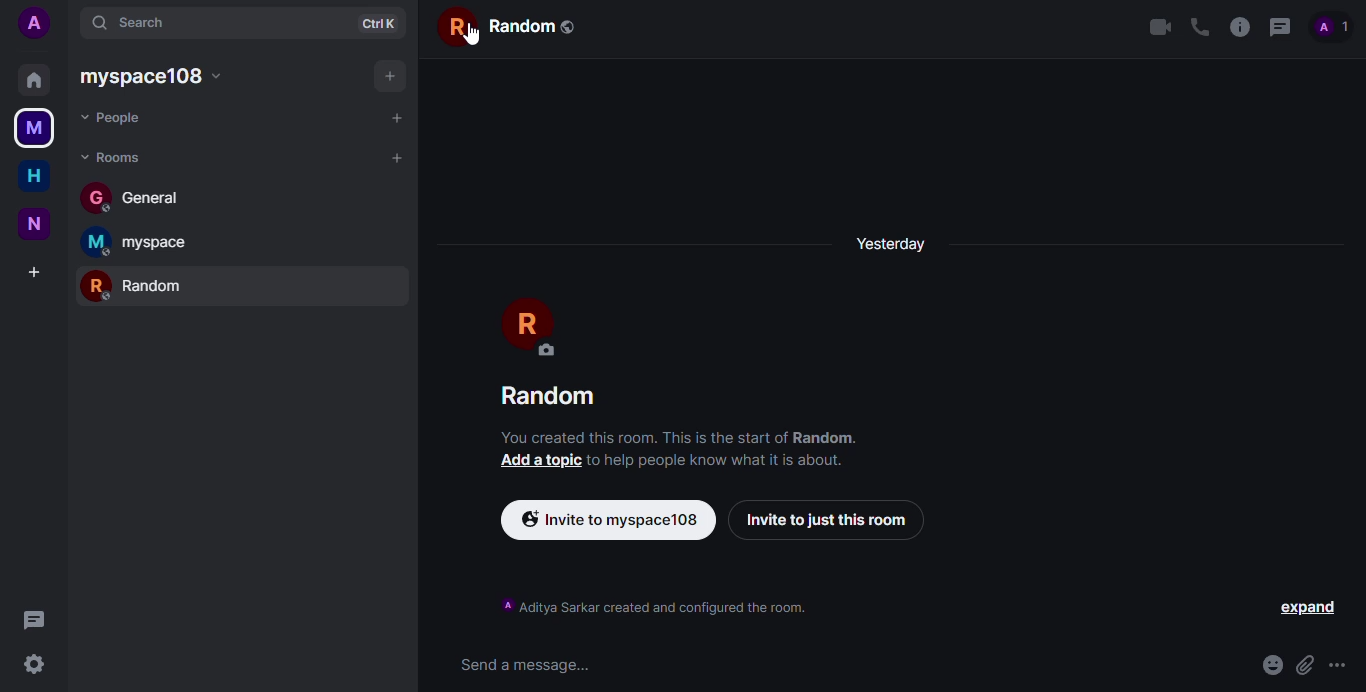  What do you see at coordinates (685, 436) in the screenshot?
I see `You created this room. This is the start of Random.` at bounding box center [685, 436].